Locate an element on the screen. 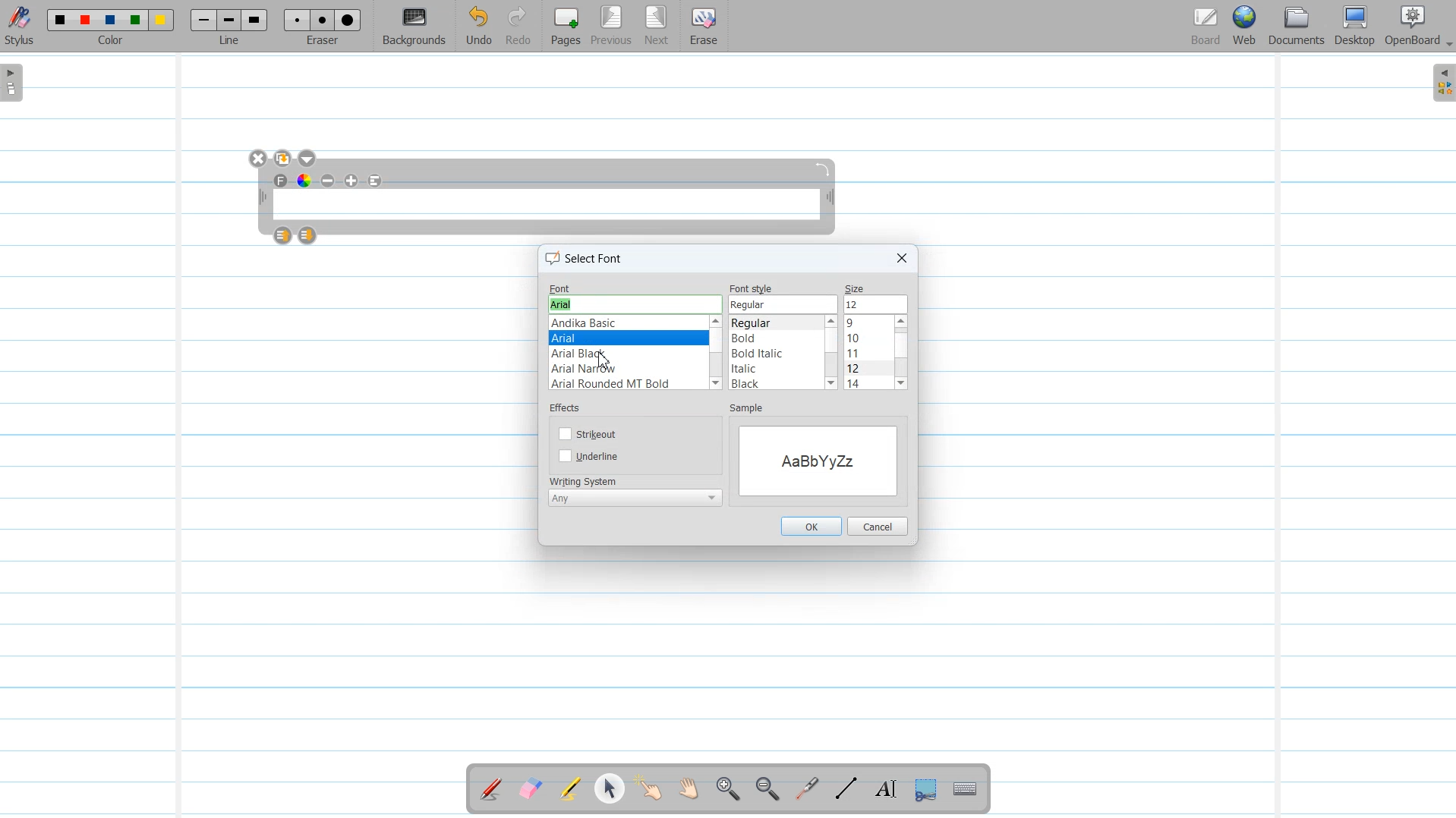  Strikeout is located at coordinates (590, 433).